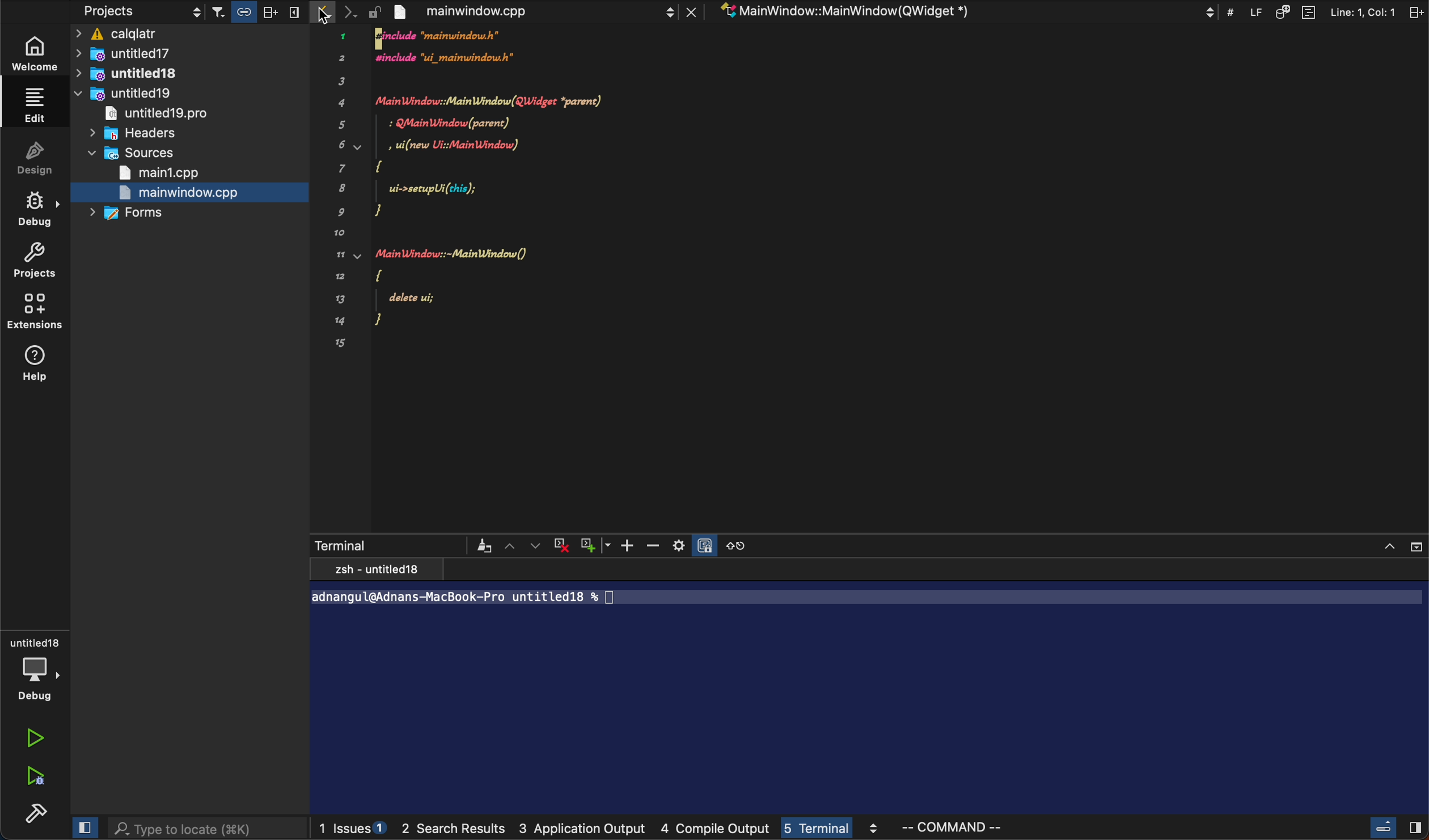 This screenshot has width=1429, height=840. What do you see at coordinates (36, 364) in the screenshot?
I see `help` at bounding box center [36, 364].